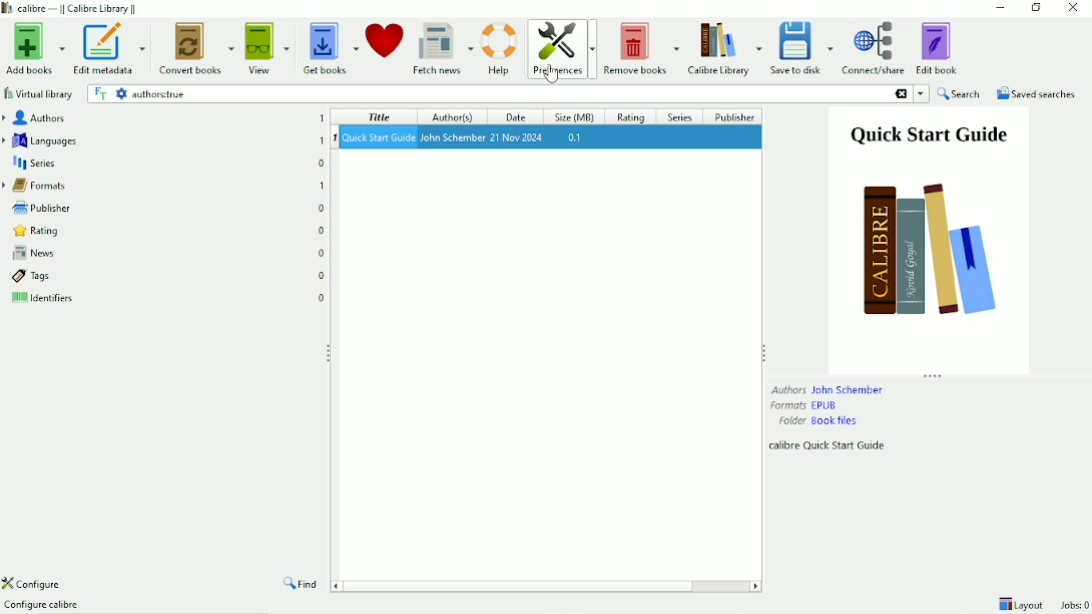 This screenshot has height=614, width=1092. I want to click on Title, so click(383, 115).